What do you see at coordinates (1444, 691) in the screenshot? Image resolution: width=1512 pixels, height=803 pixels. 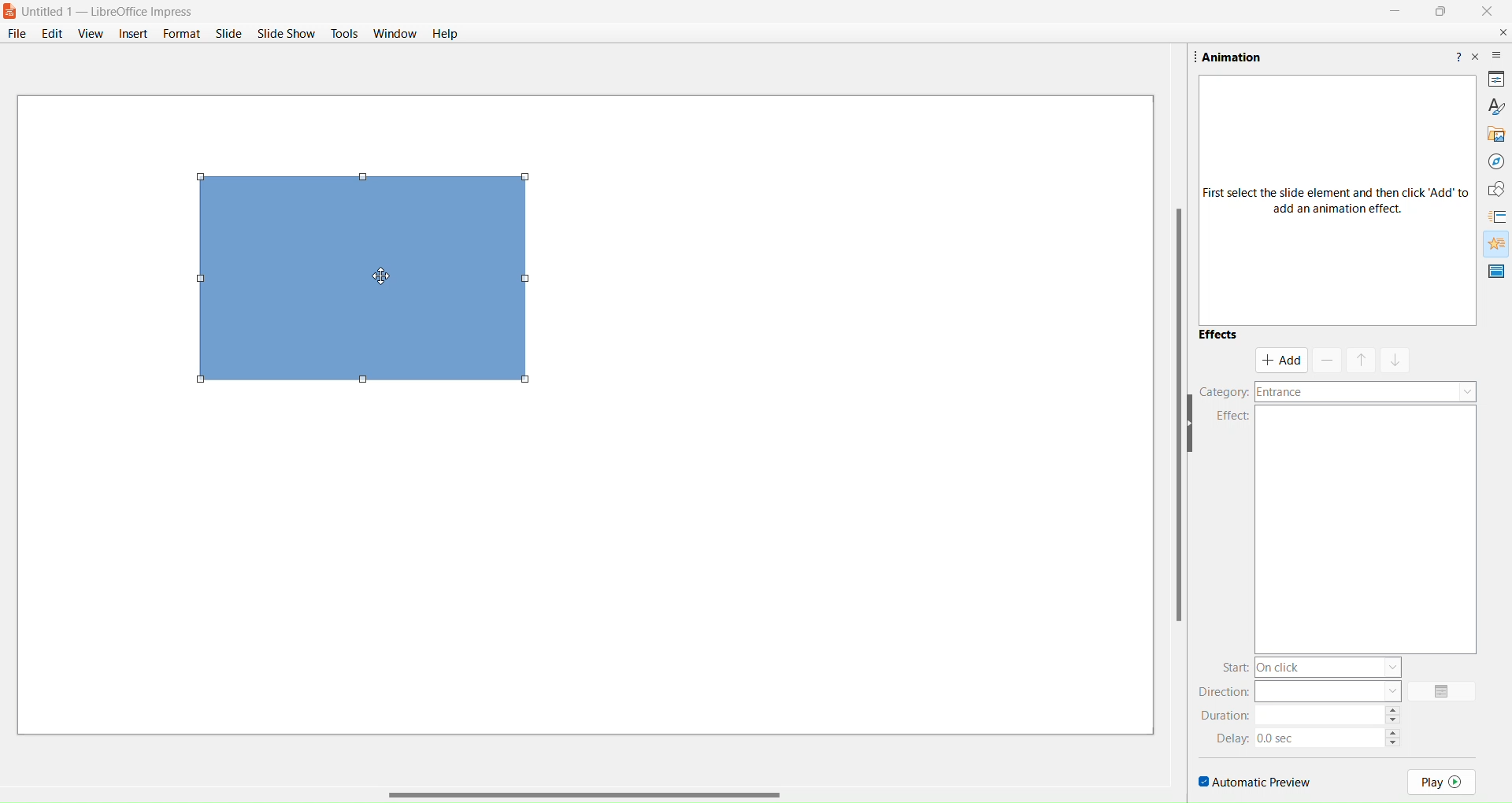 I see `options` at bounding box center [1444, 691].